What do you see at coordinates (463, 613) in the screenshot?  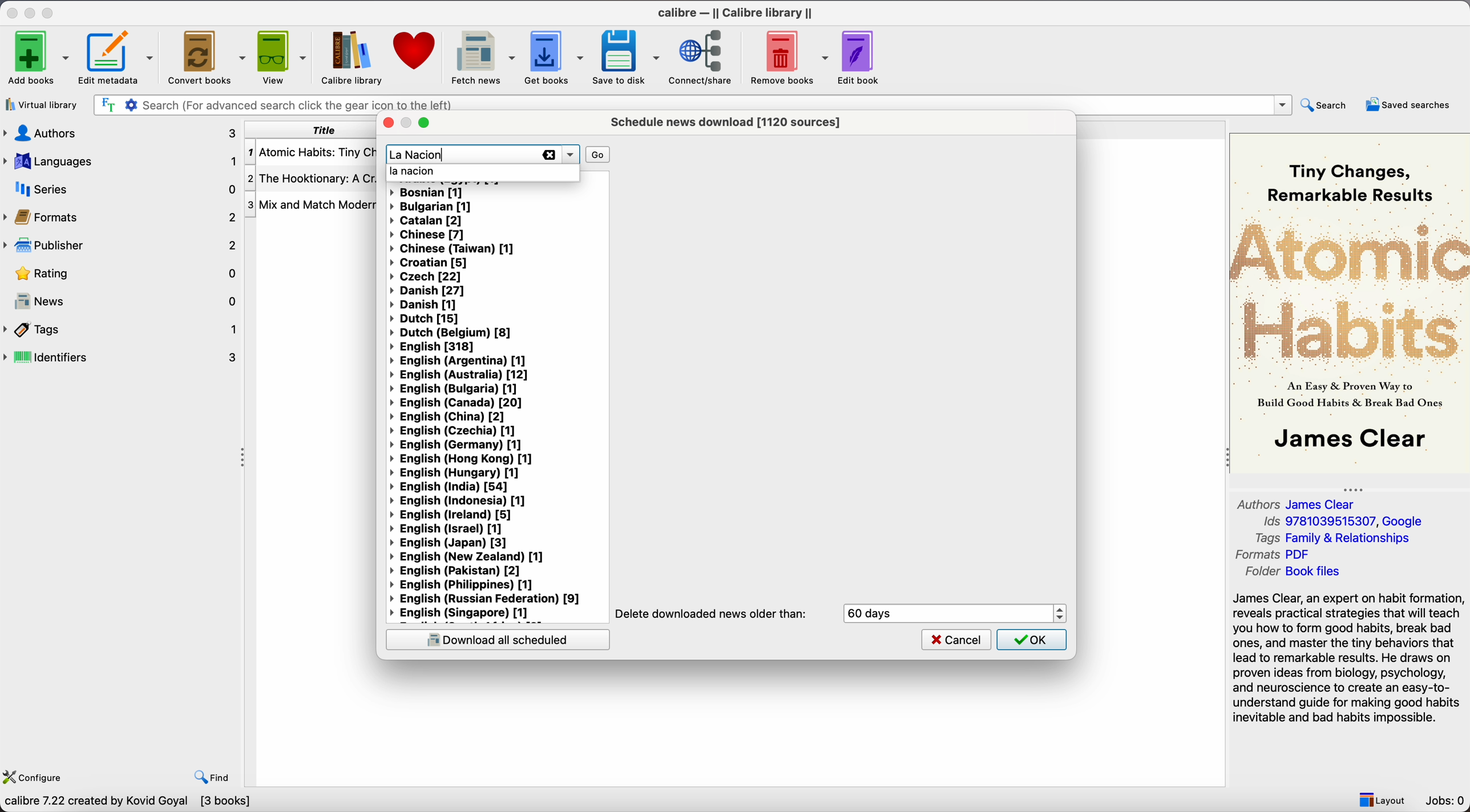 I see `English (Singapore) [1]` at bounding box center [463, 613].